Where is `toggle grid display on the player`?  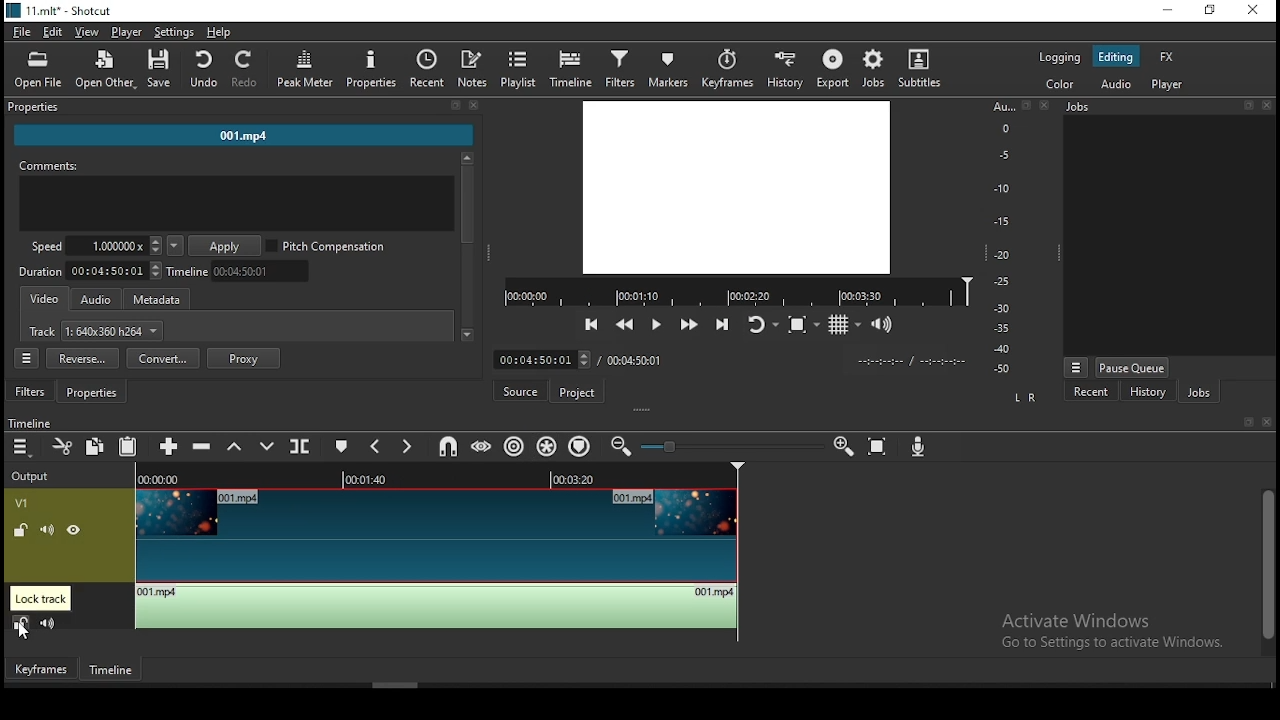 toggle grid display on the player is located at coordinates (847, 325).